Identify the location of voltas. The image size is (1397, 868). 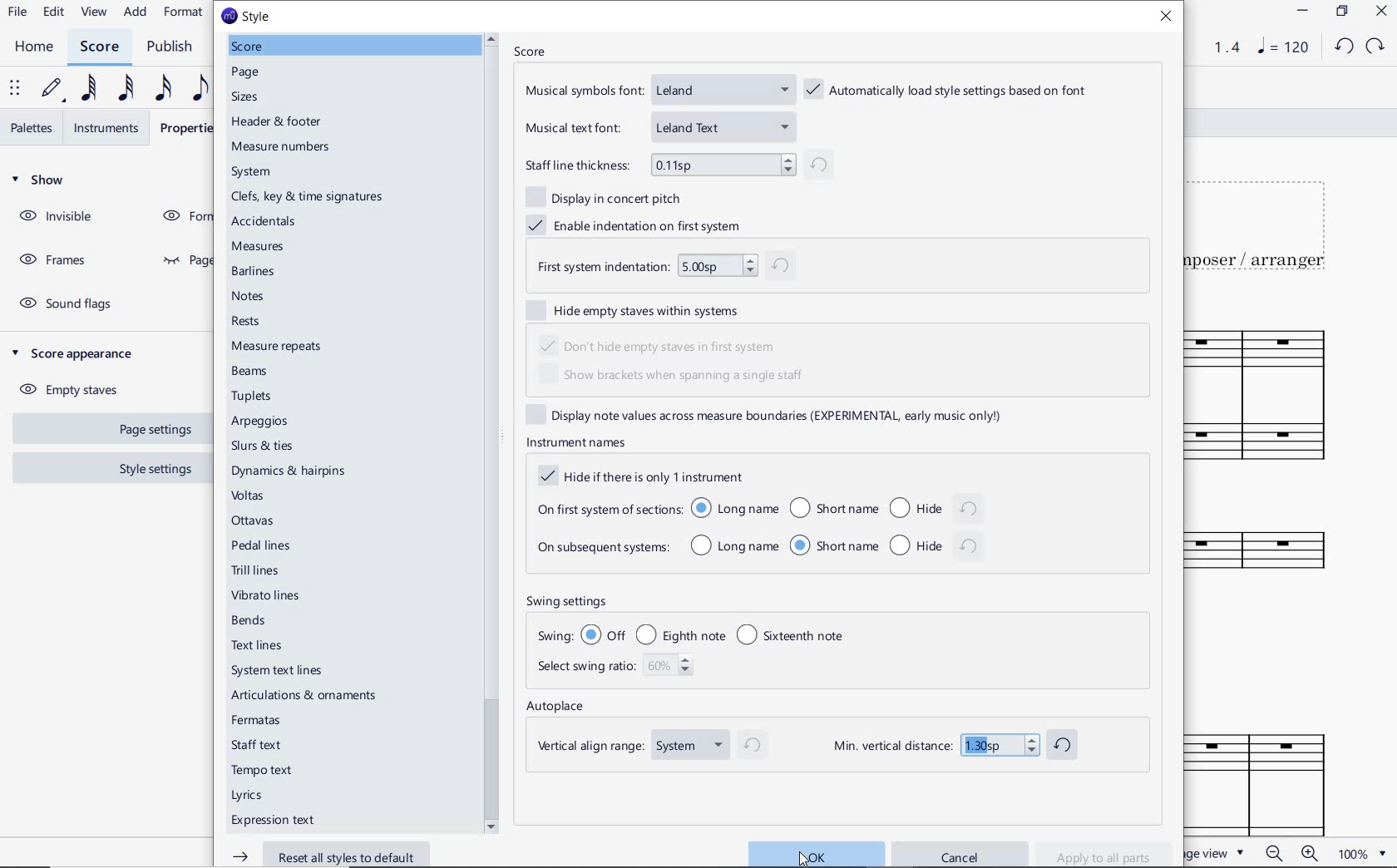
(248, 498).